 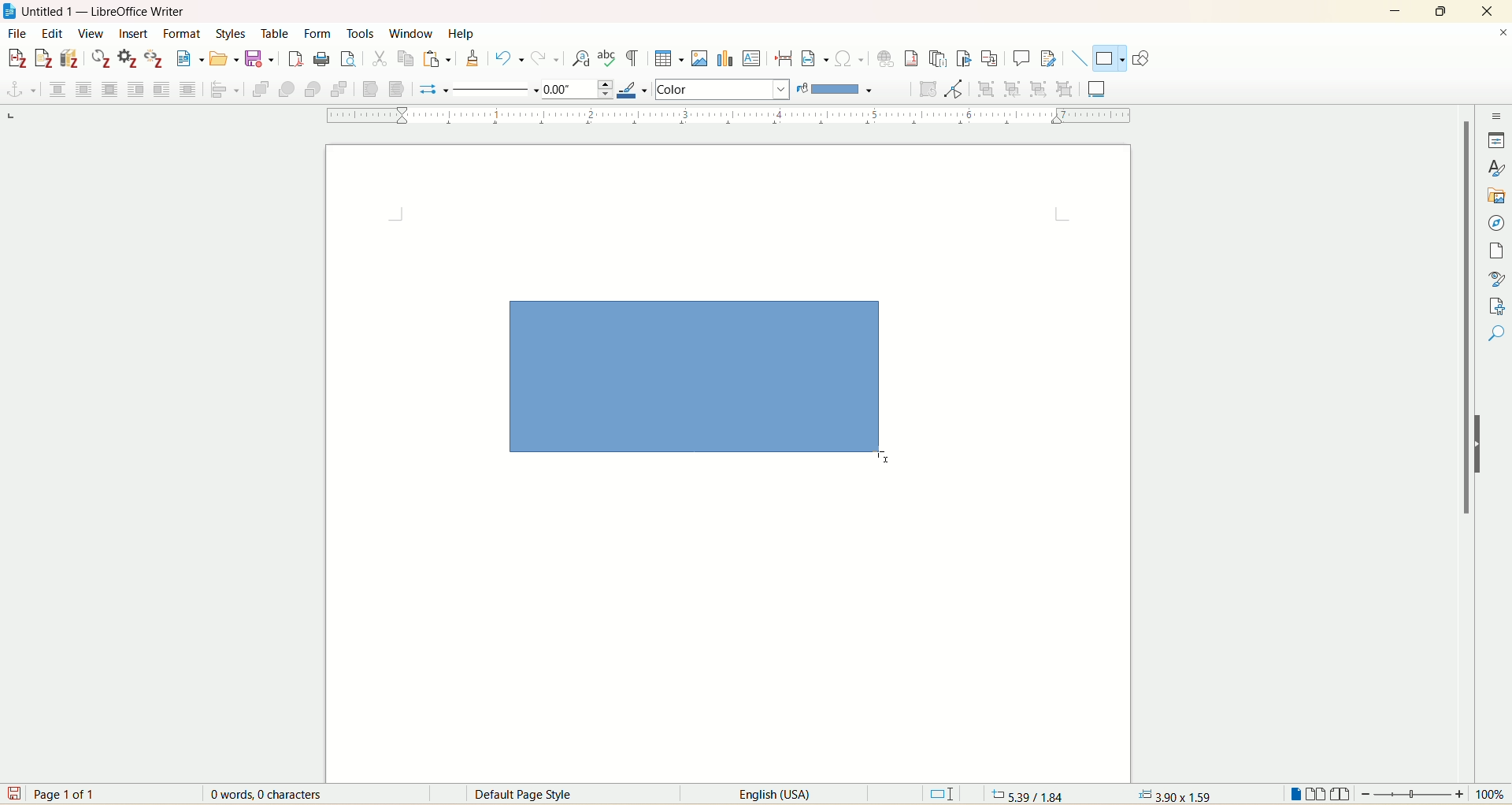 I want to click on insert cross references, so click(x=990, y=57).